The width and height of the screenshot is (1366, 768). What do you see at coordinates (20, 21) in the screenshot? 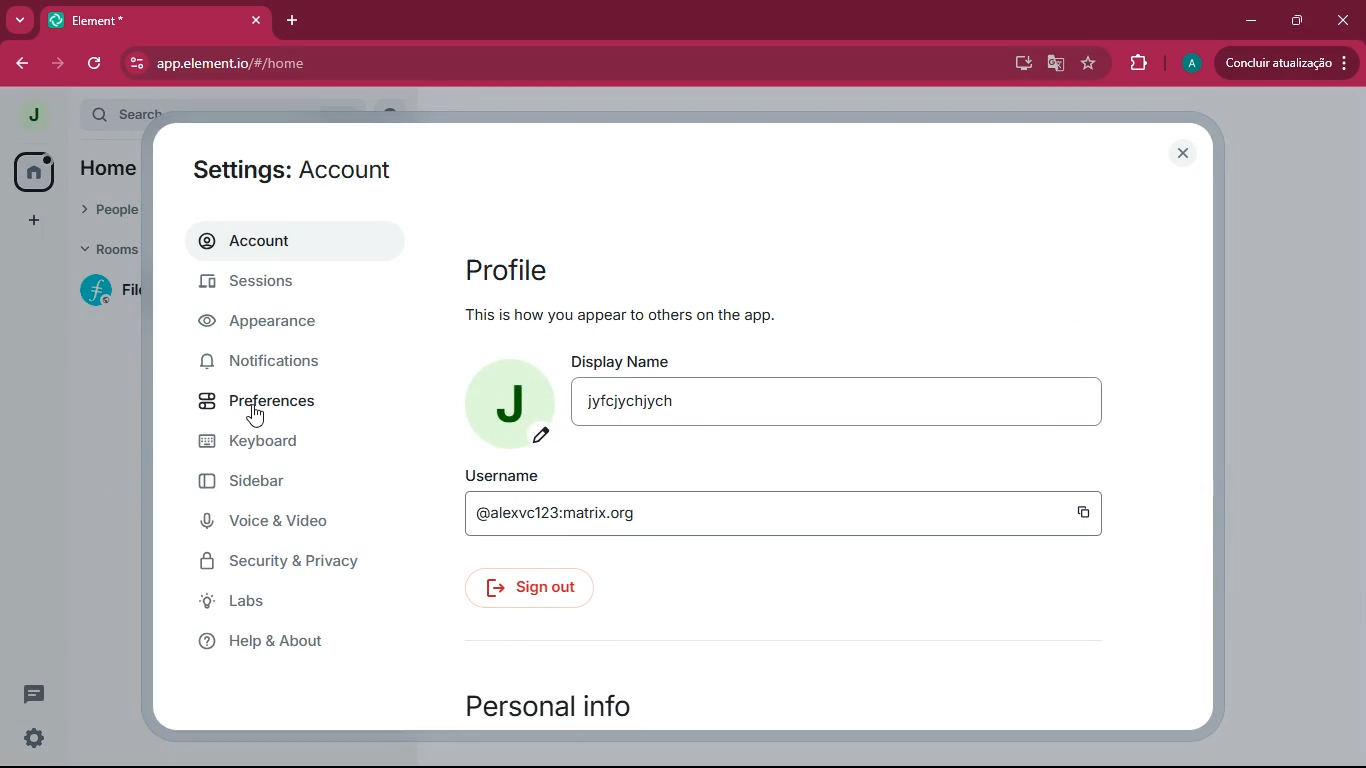
I see `more` at bounding box center [20, 21].